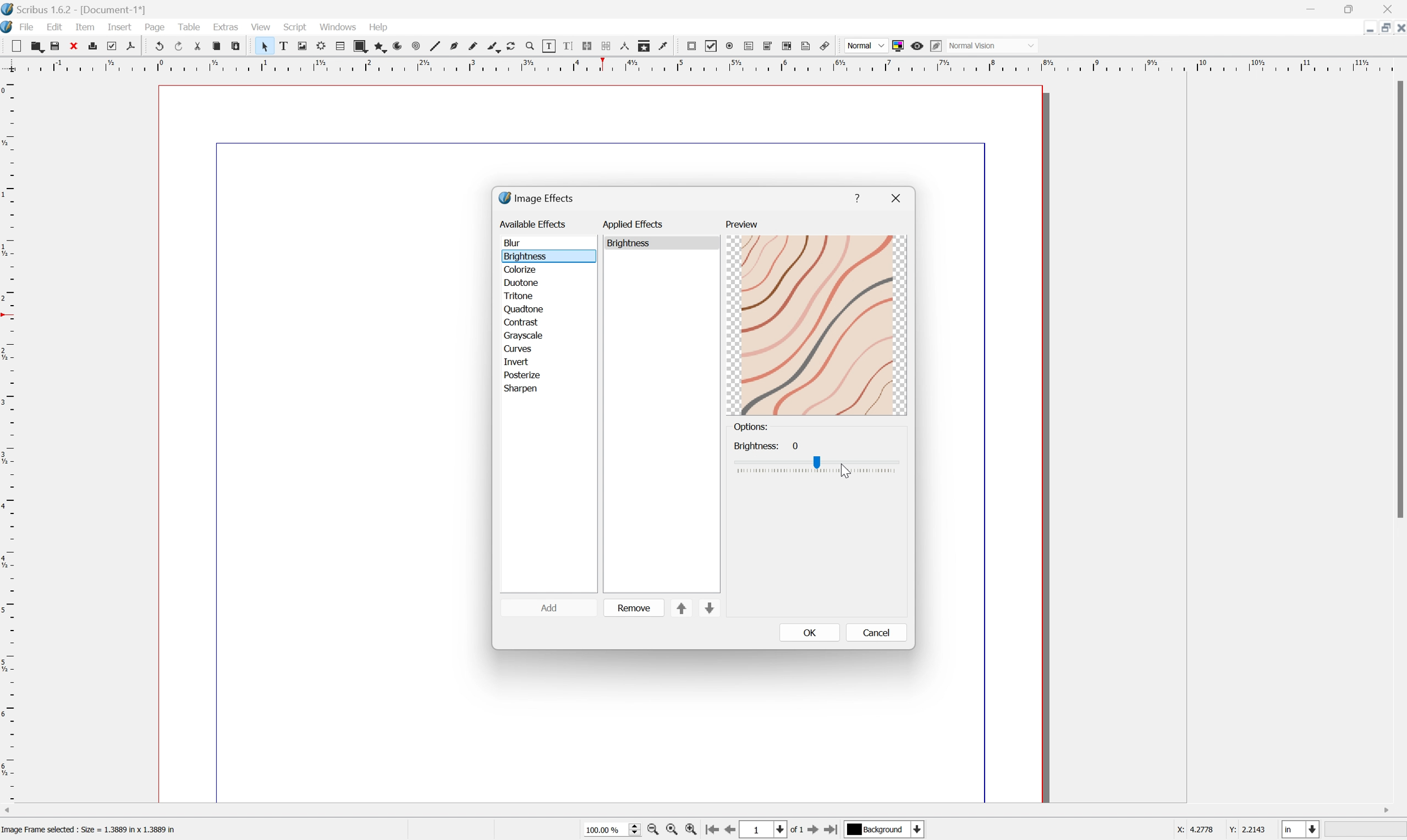  I want to click on Restore Down, so click(1368, 31).